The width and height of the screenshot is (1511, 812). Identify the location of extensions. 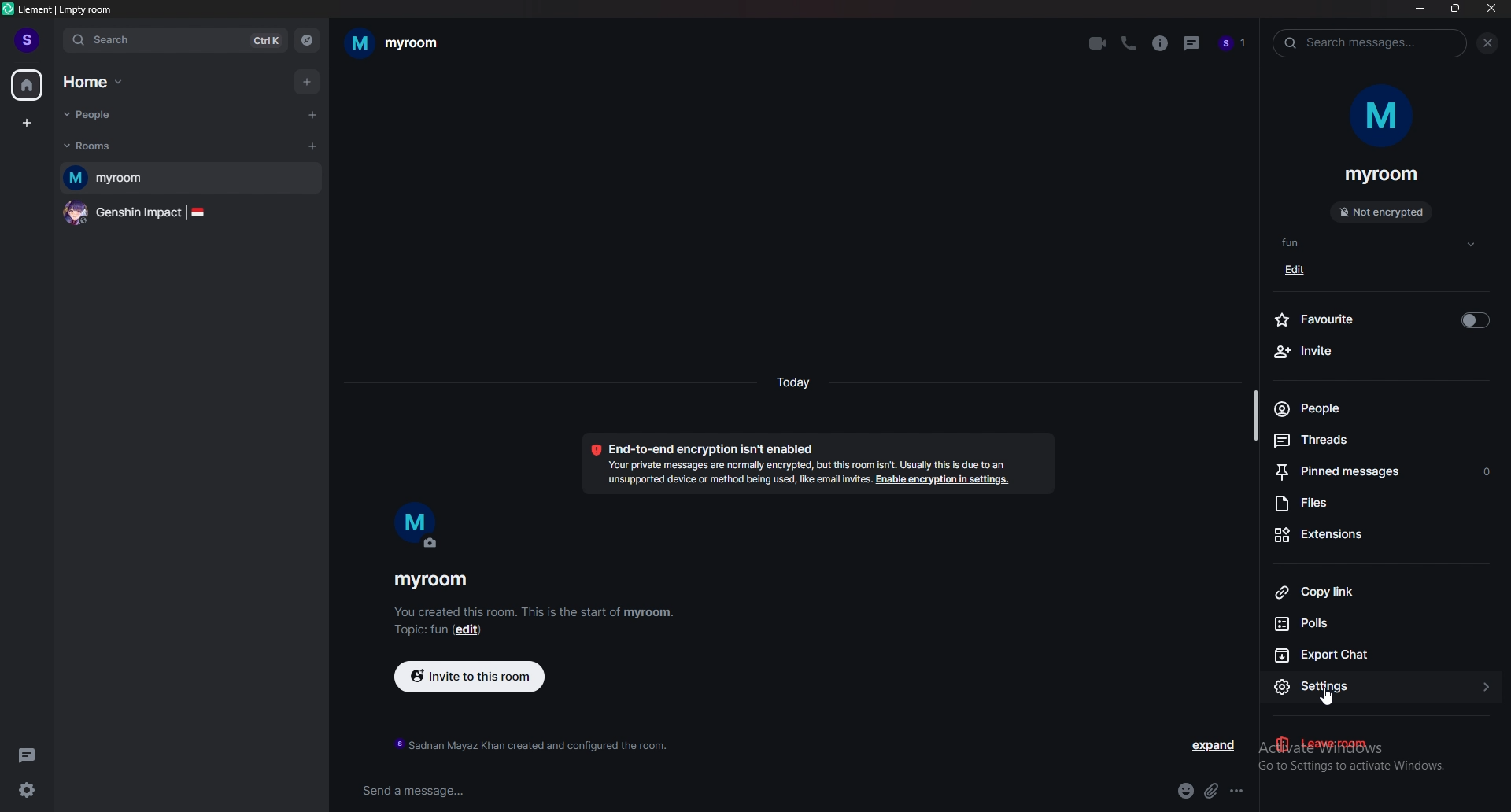
(1380, 537).